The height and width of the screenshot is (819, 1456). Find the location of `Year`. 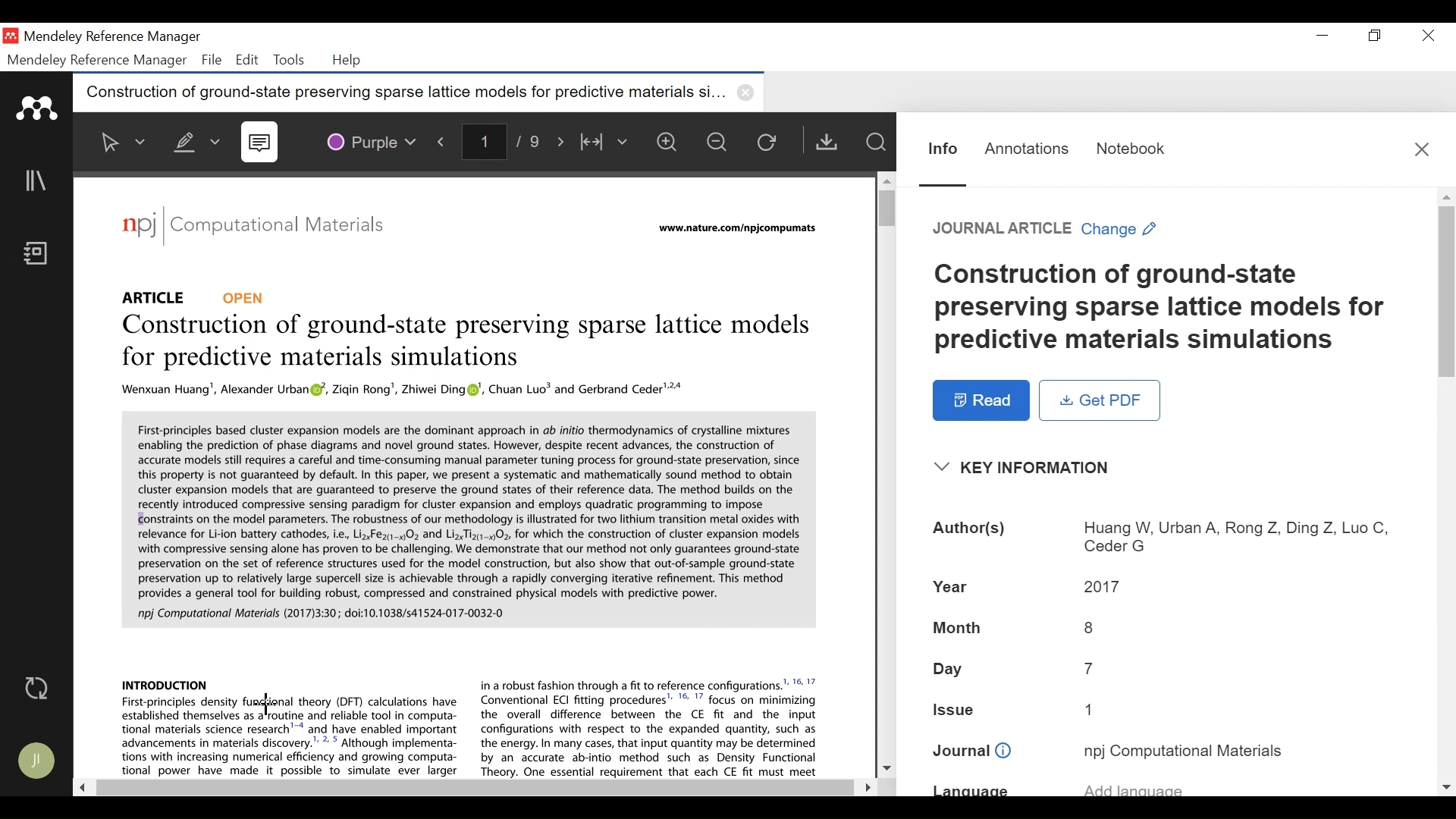

Year is located at coordinates (1166, 587).